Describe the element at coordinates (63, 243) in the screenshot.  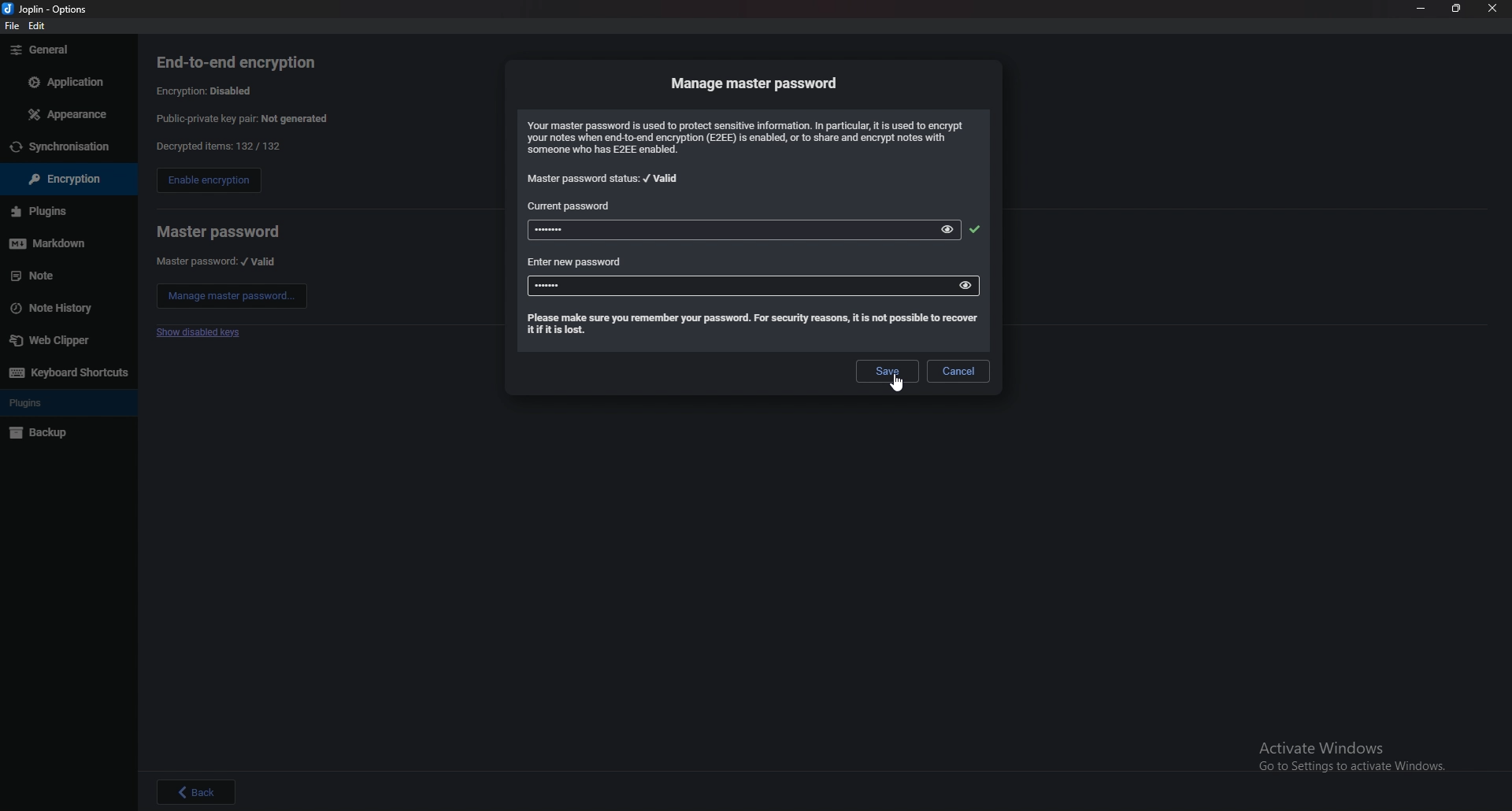
I see `markdown` at that location.